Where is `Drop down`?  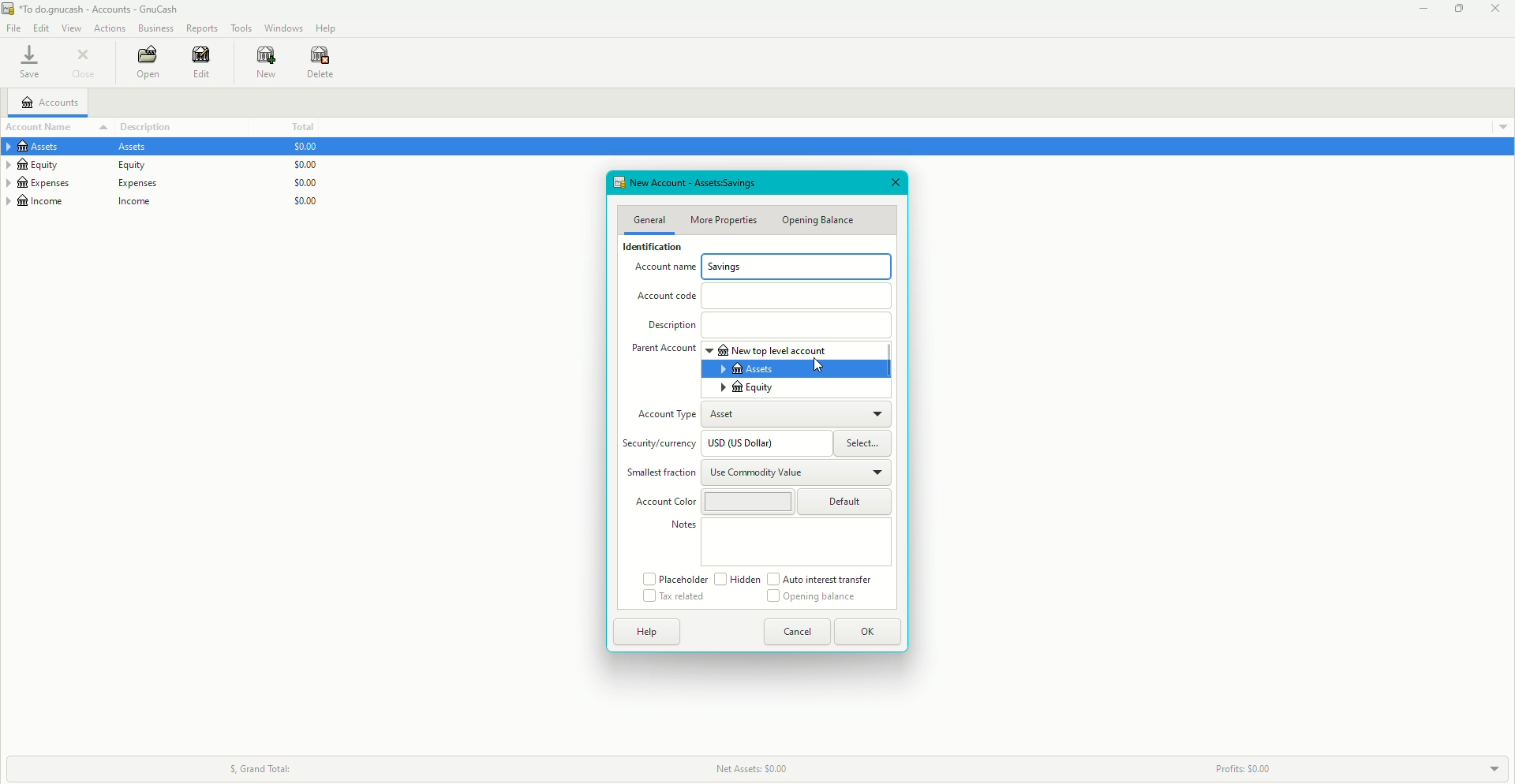 Drop down is located at coordinates (1502, 125).